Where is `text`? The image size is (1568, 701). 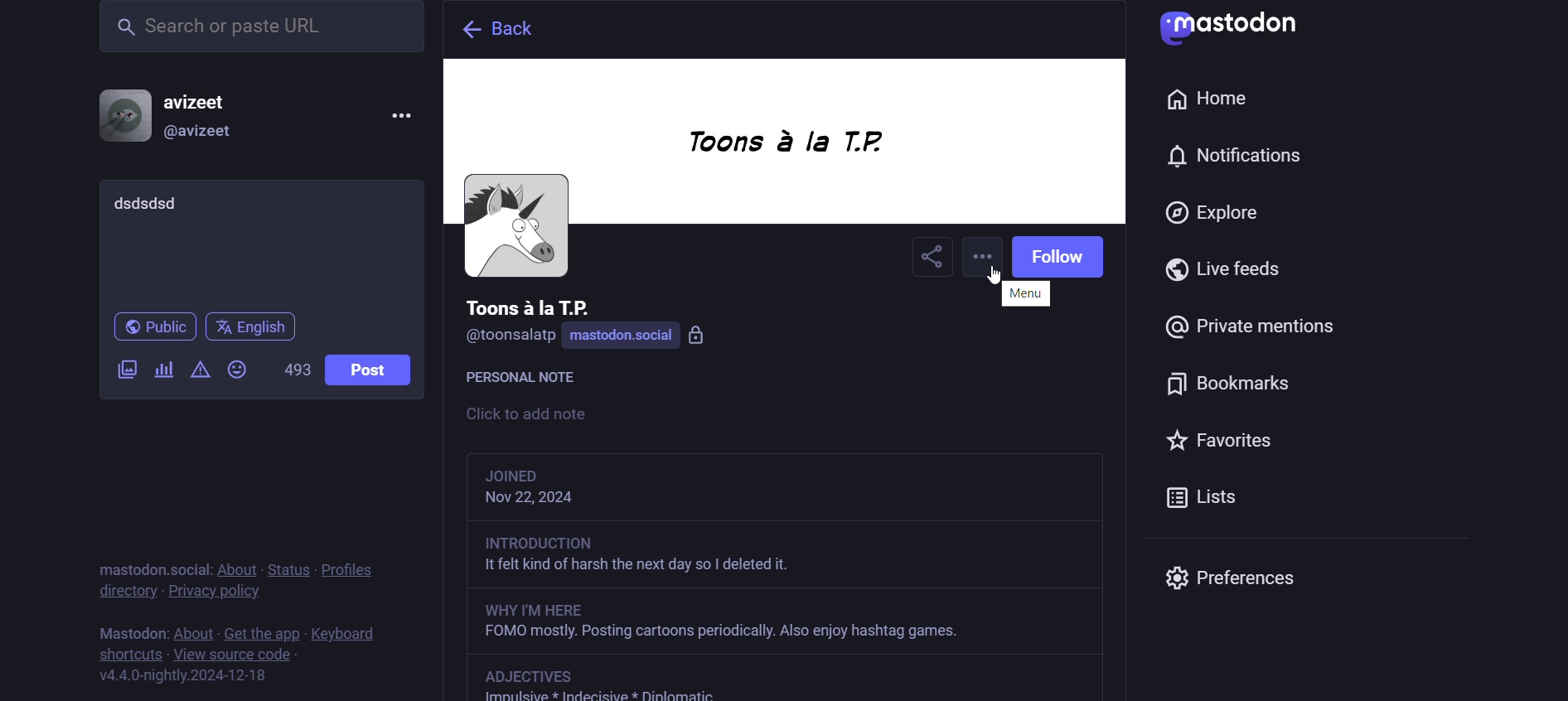
text is located at coordinates (128, 626).